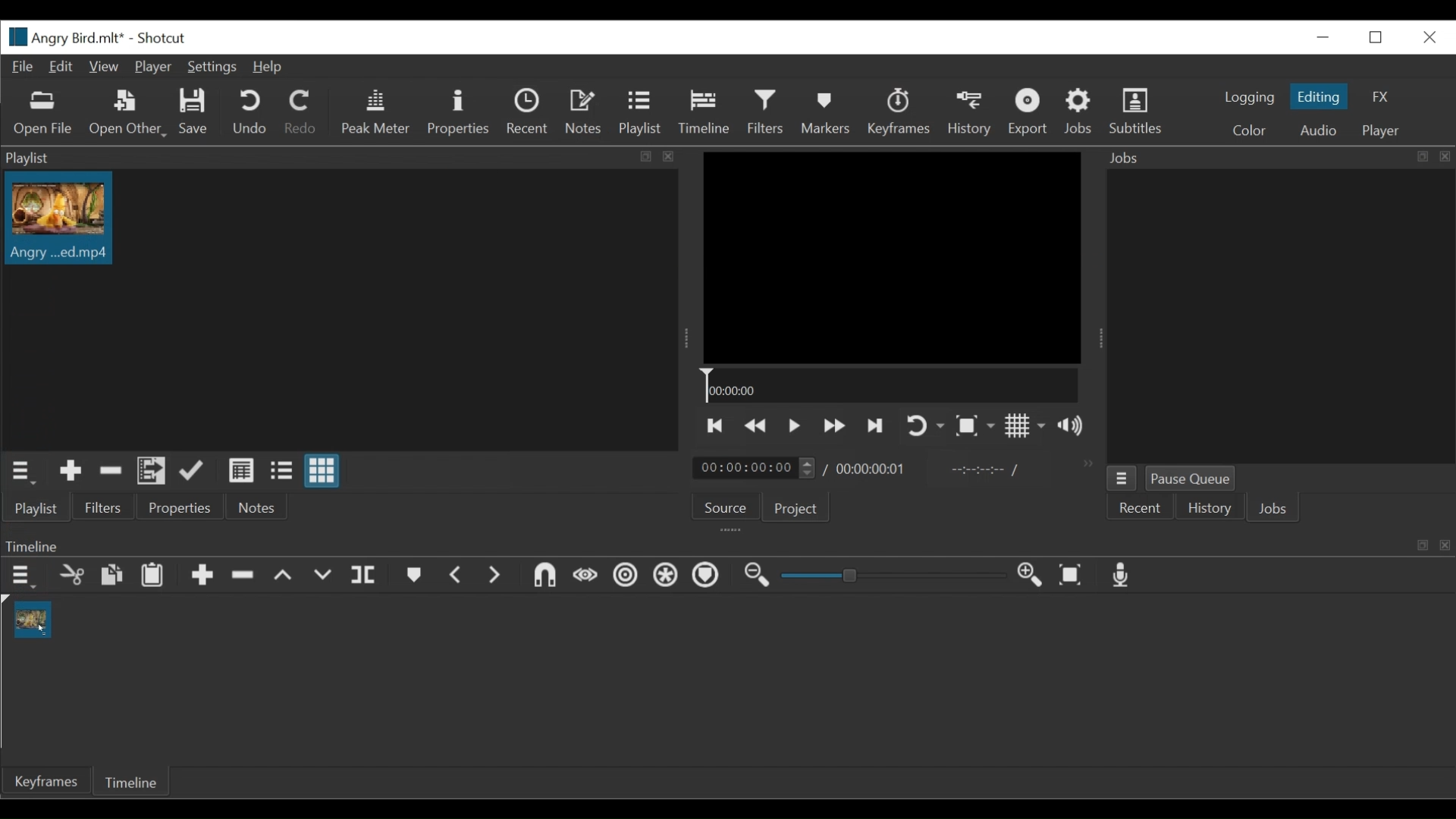  What do you see at coordinates (195, 113) in the screenshot?
I see `Save` at bounding box center [195, 113].